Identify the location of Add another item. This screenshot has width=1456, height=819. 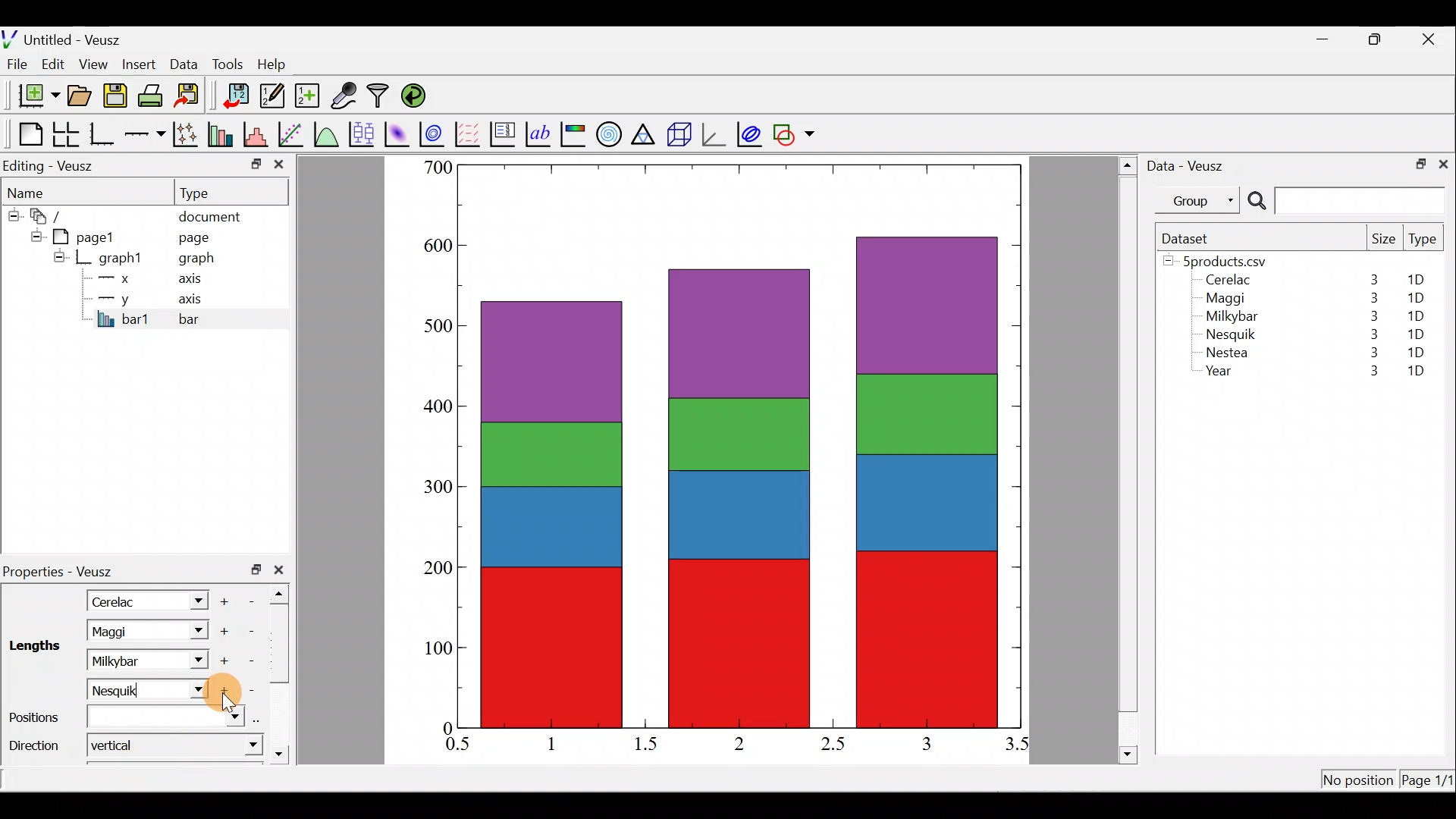
(223, 691).